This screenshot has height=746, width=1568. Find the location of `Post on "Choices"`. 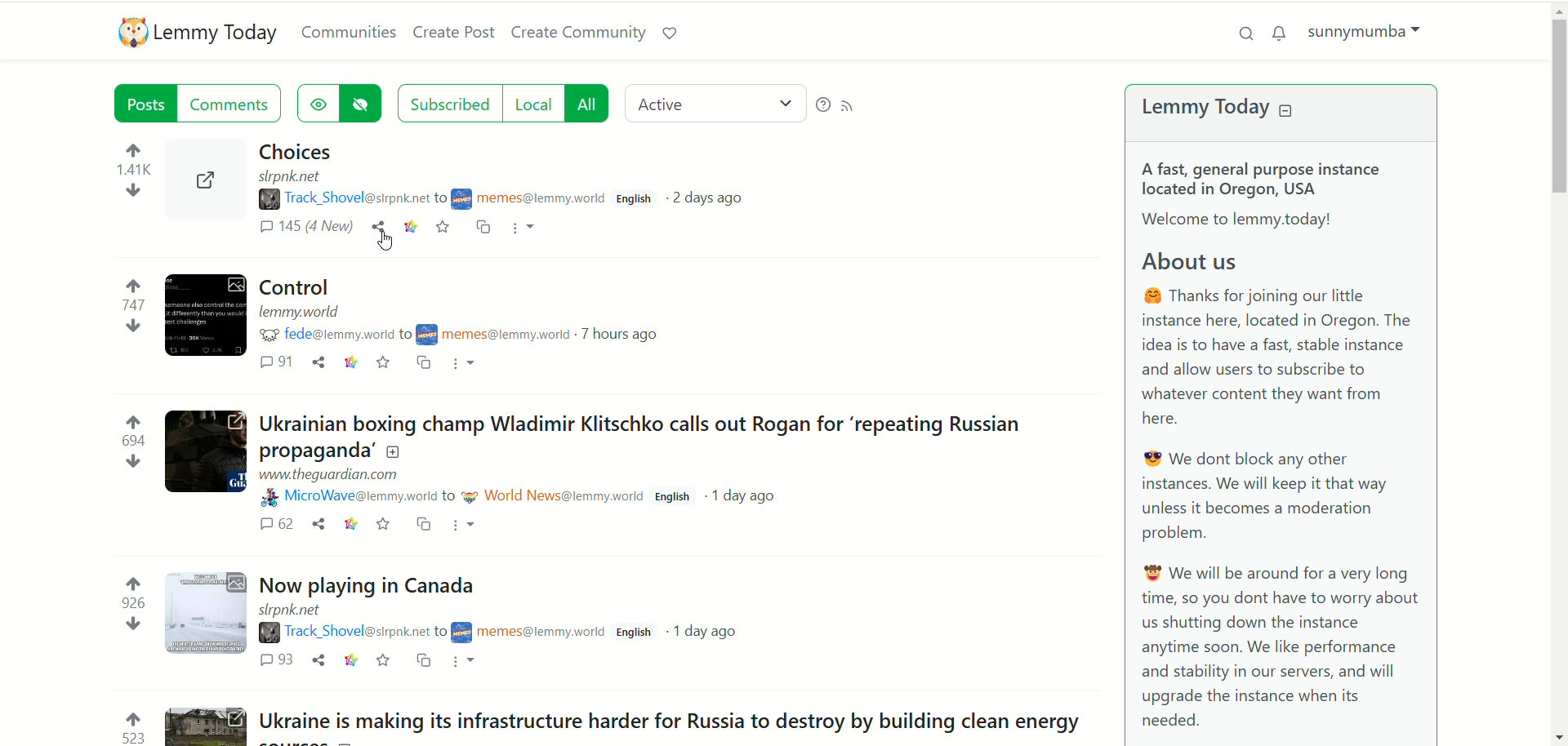

Post on "Choices" is located at coordinates (296, 150).